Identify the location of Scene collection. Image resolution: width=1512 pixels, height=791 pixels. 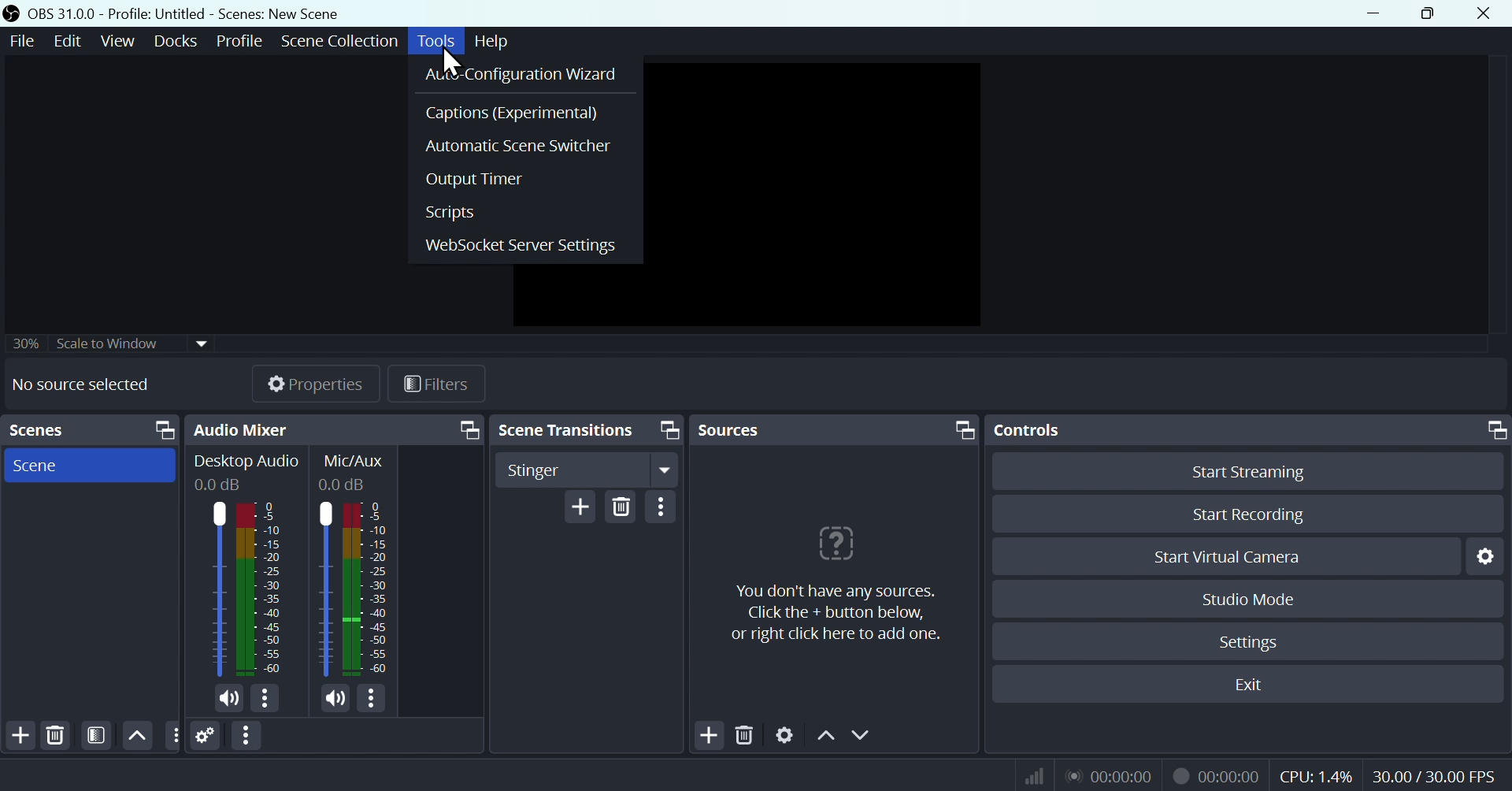
(343, 43).